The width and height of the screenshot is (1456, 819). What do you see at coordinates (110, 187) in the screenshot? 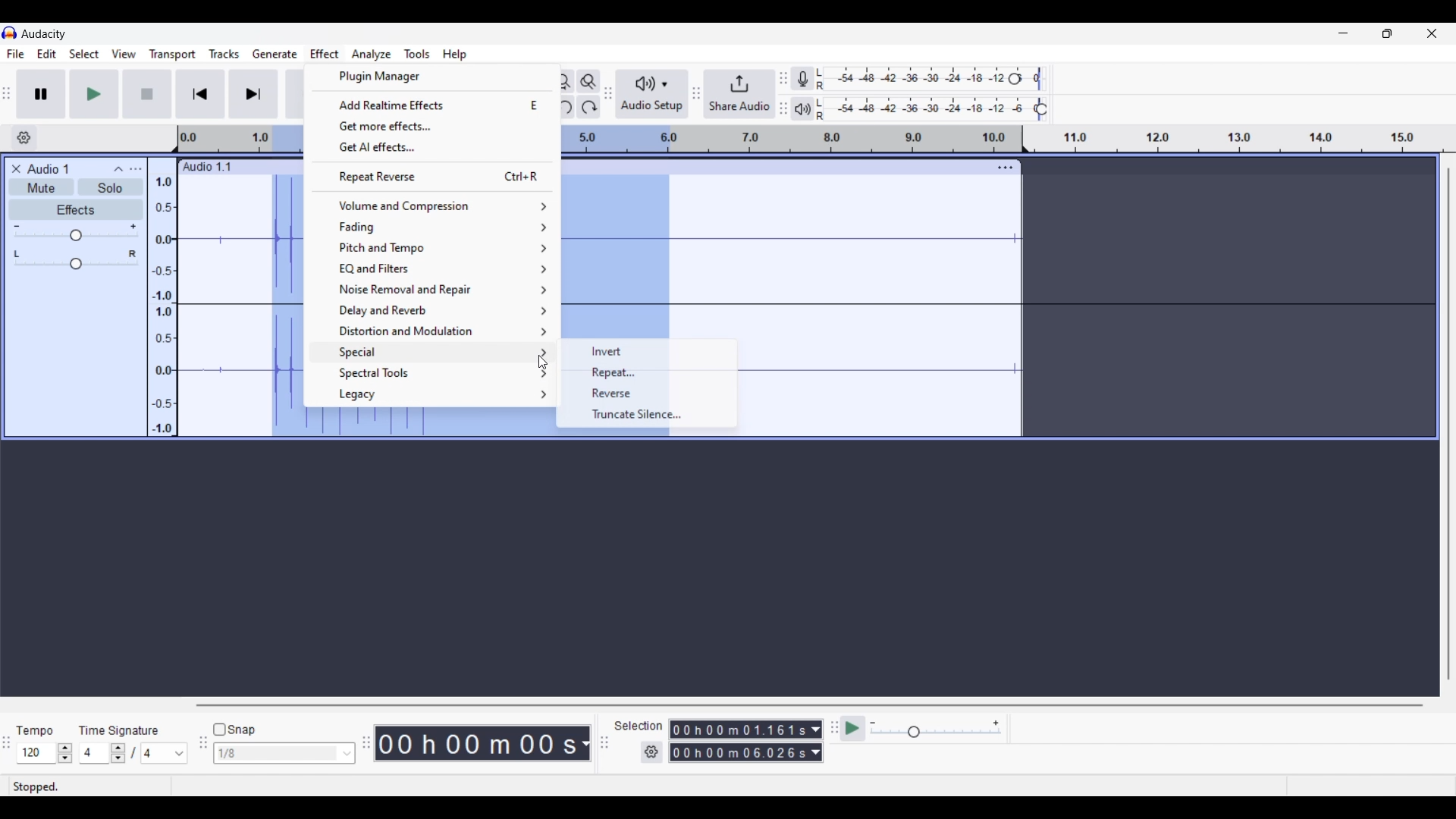
I see `Solo` at bounding box center [110, 187].